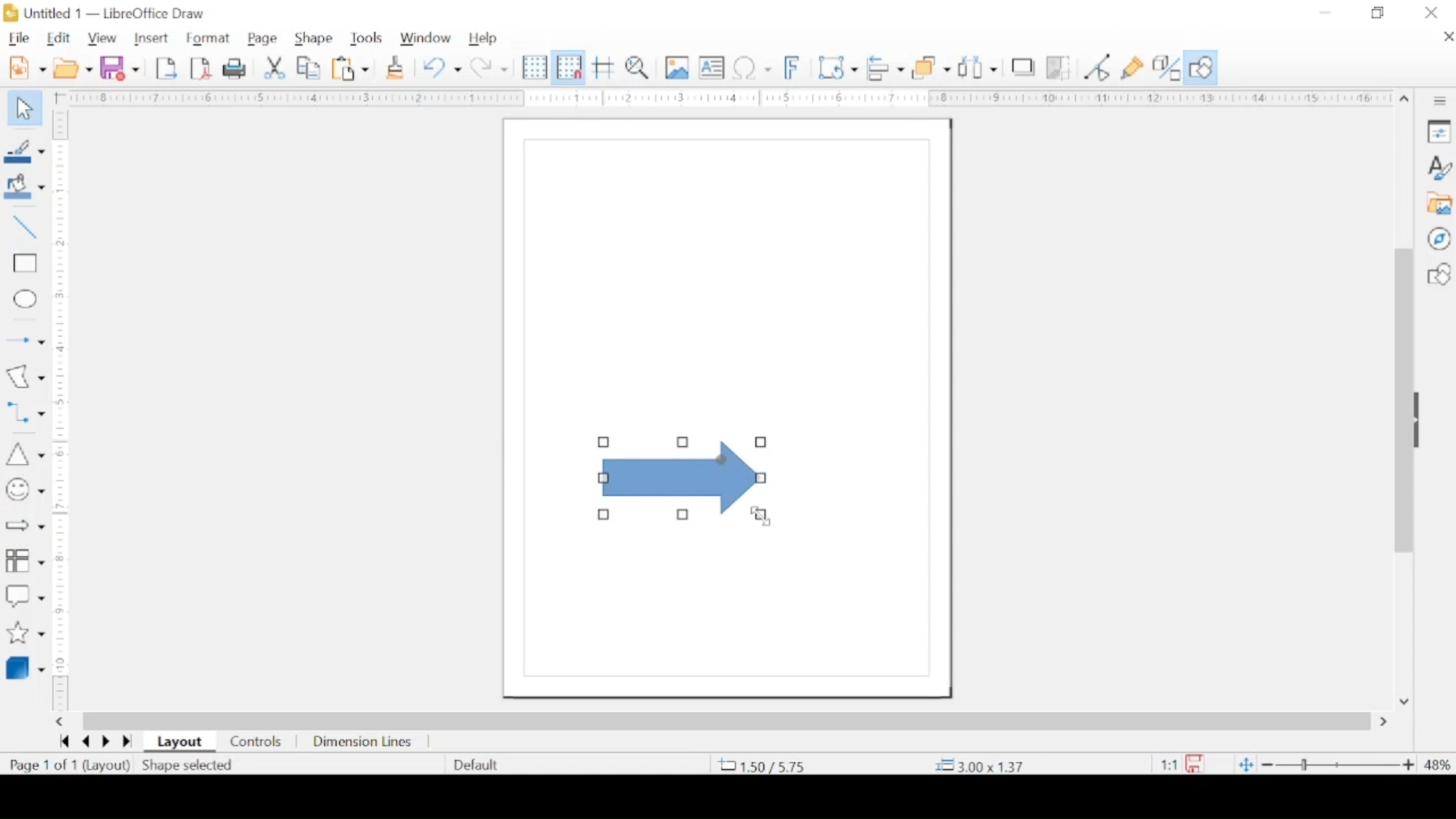 Image resolution: width=1456 pixels, height=819 pixels. What do you see at coordinates (25, 264) in the screenshot?
I see `rectangle` at bounding box center [25, 264].